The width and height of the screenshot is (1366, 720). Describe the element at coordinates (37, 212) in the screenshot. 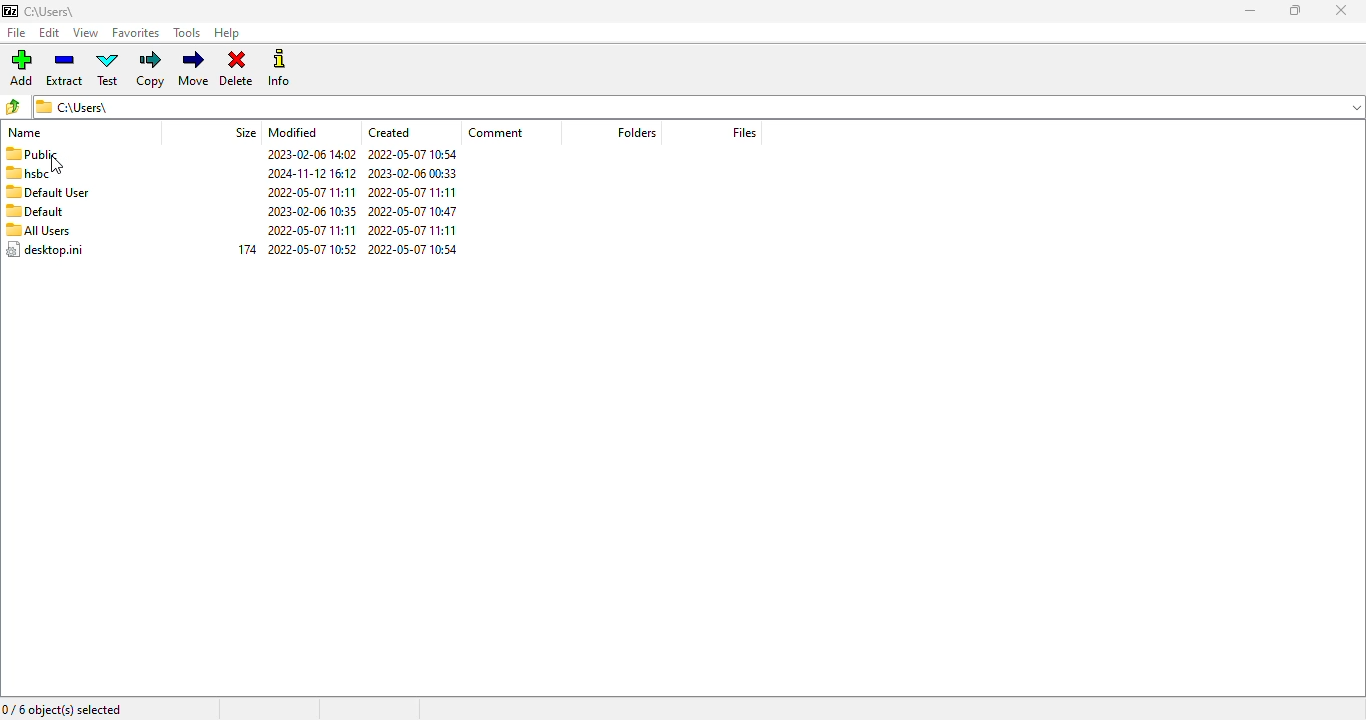

I see `default` at that location.